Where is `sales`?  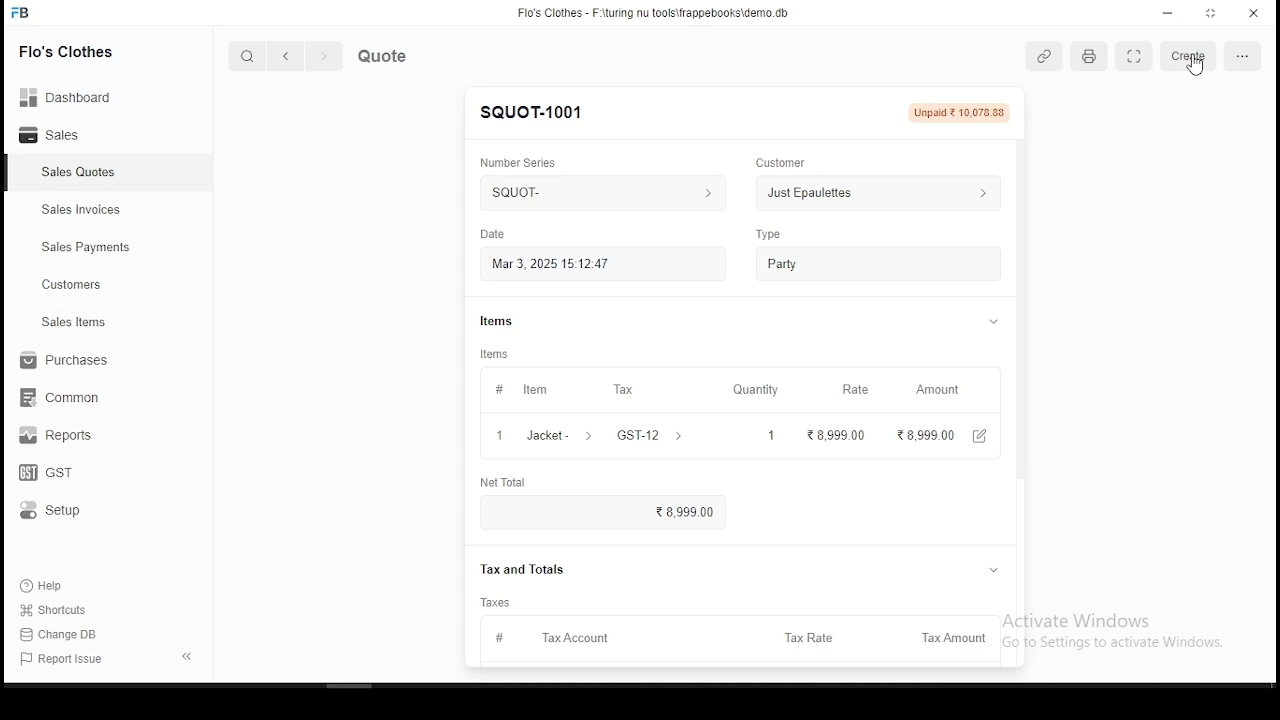
sales is located at coordinates (75, 172).